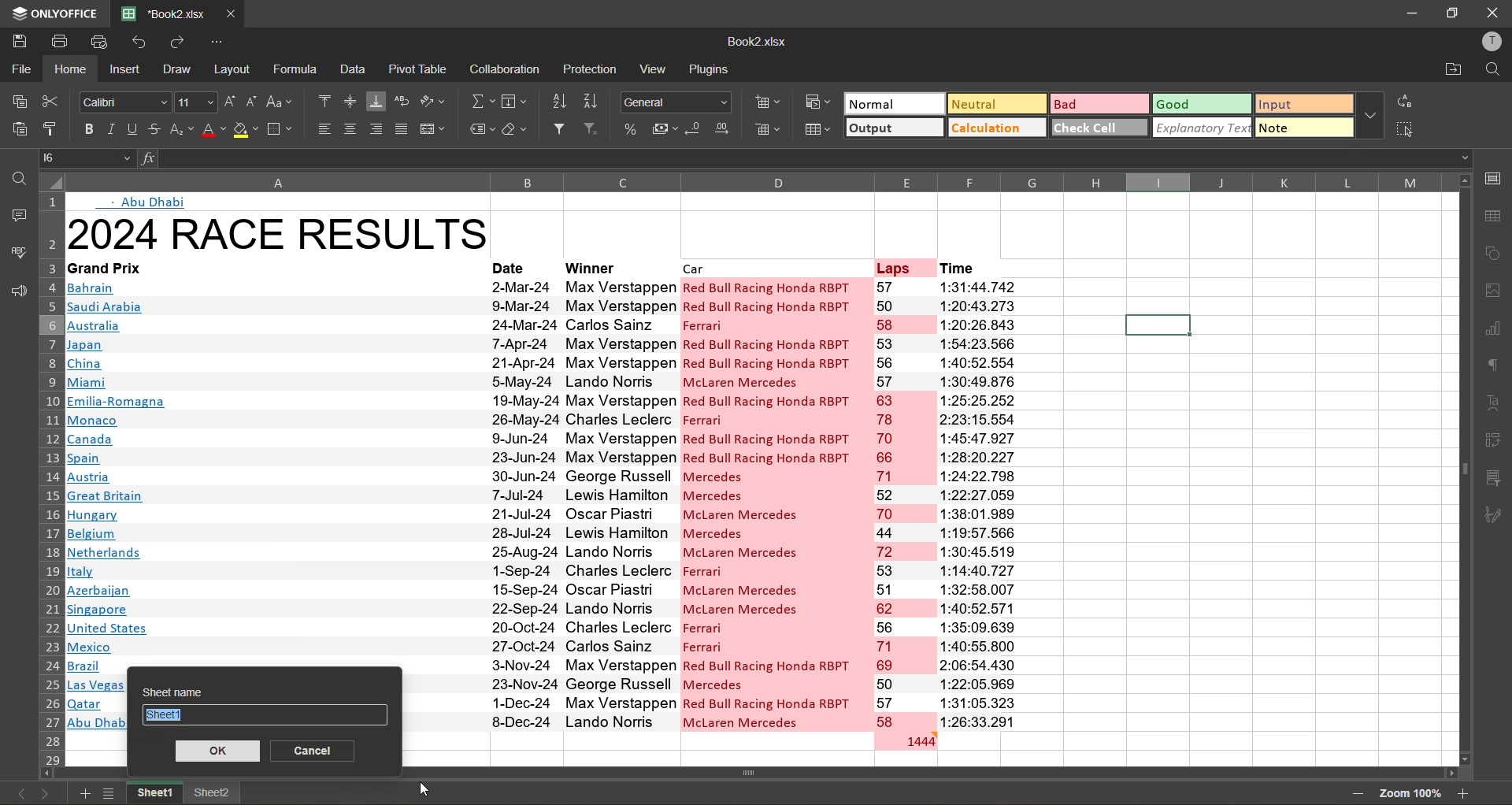  What do you see at coordinates (518, 100) in the screenshot?
I see `fields` at bounding box center [518, 100].